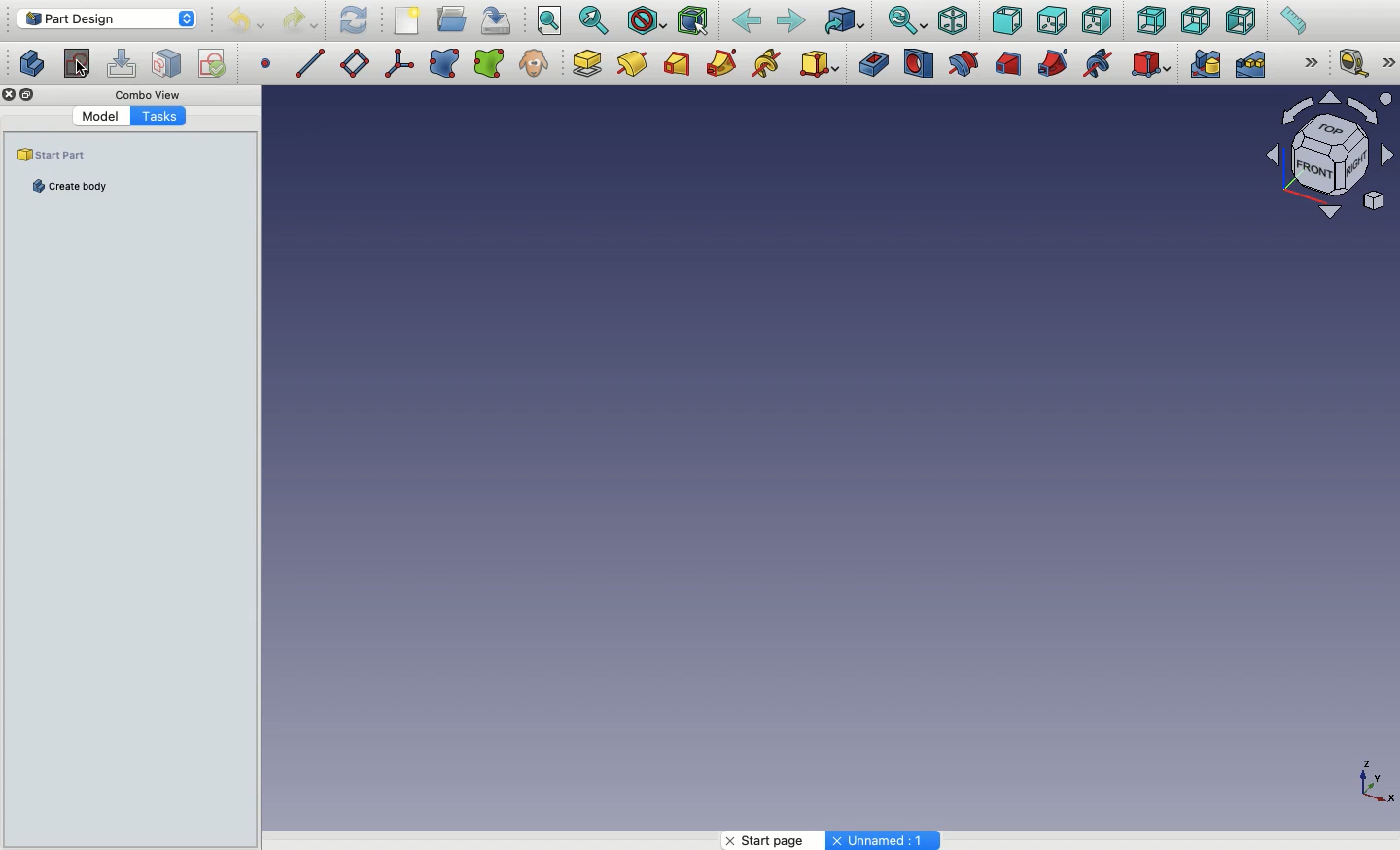  What do you see at coordinates (873, 63) in the screenshot?
I see `Pocket` at bounding box center [873, 63].